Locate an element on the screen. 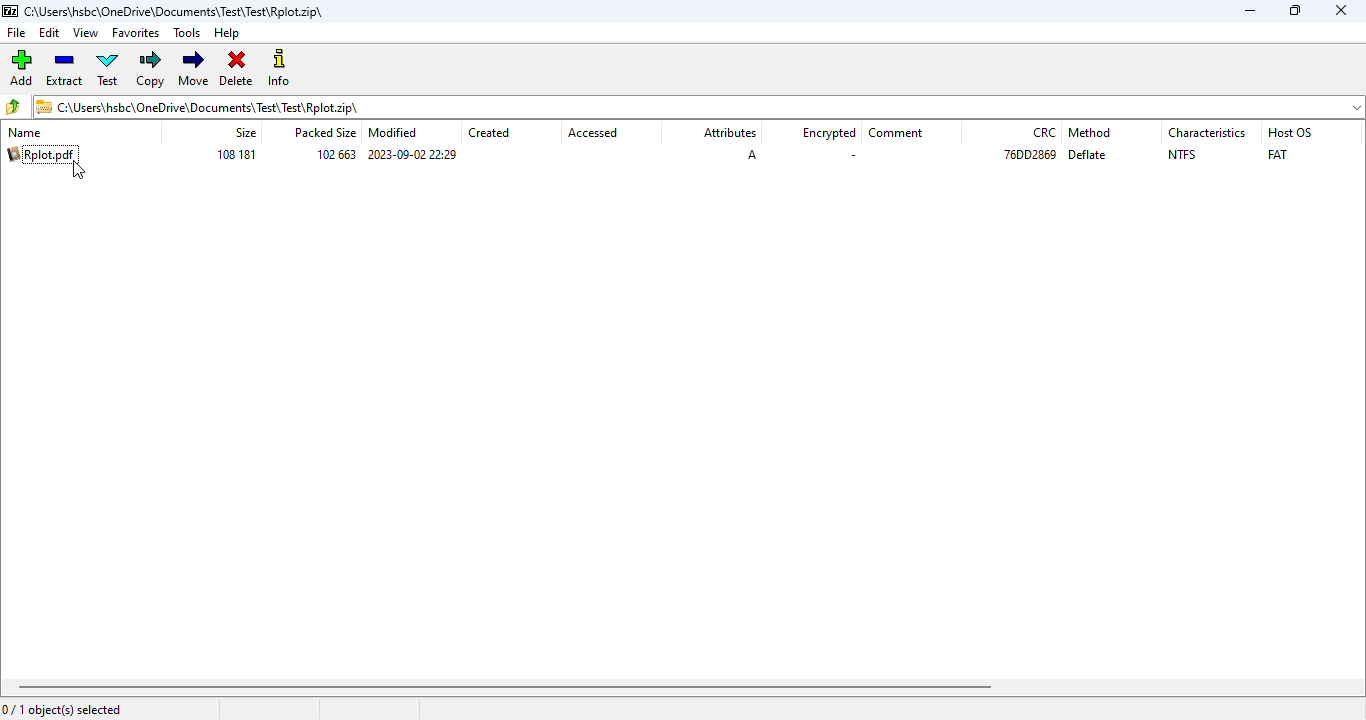 The height and width of the screenshot is (720, 1366). size is located at coordinates (245, 133).